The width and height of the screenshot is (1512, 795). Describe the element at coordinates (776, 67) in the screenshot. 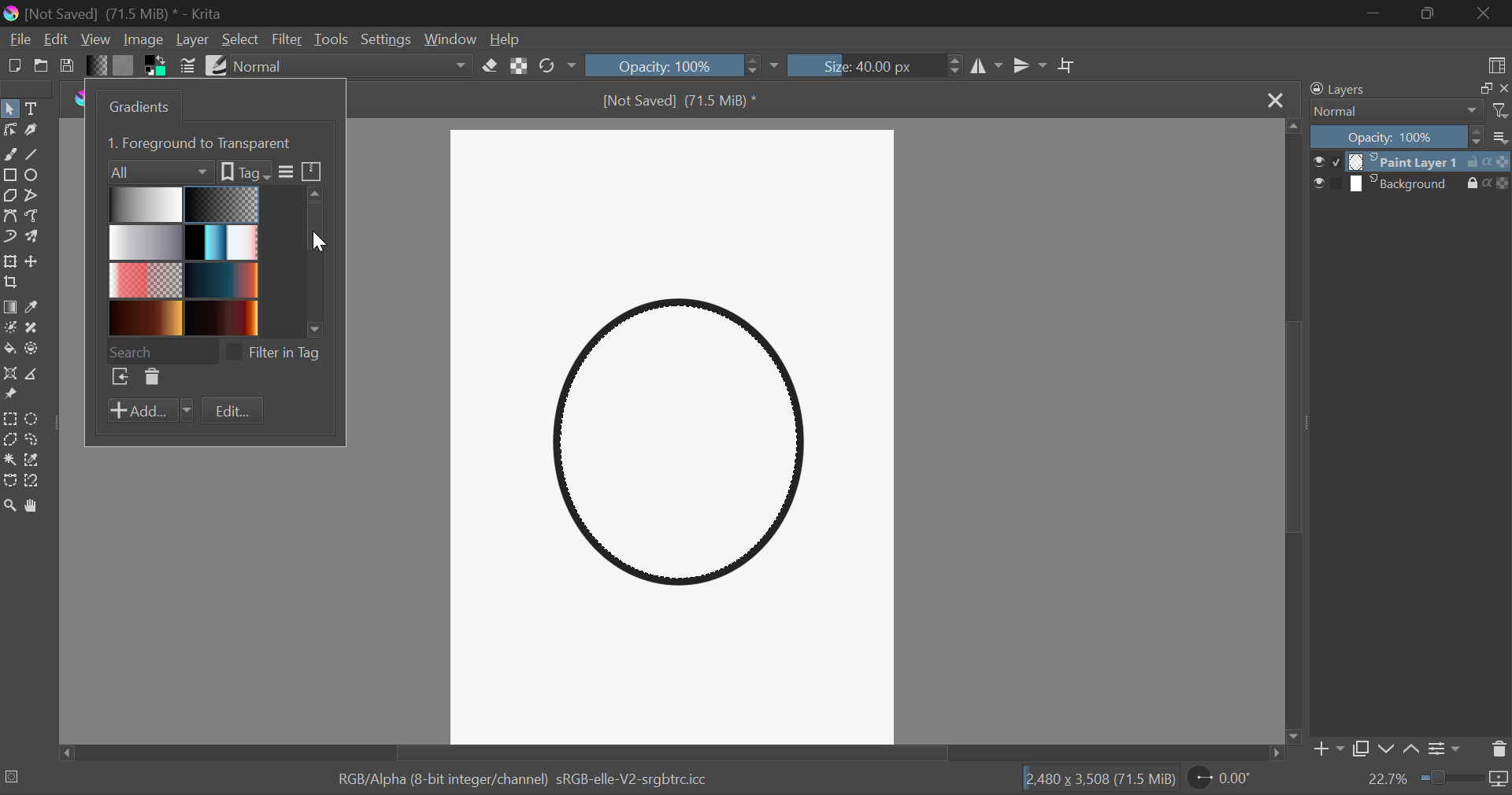

I see `dropdown` at that location.